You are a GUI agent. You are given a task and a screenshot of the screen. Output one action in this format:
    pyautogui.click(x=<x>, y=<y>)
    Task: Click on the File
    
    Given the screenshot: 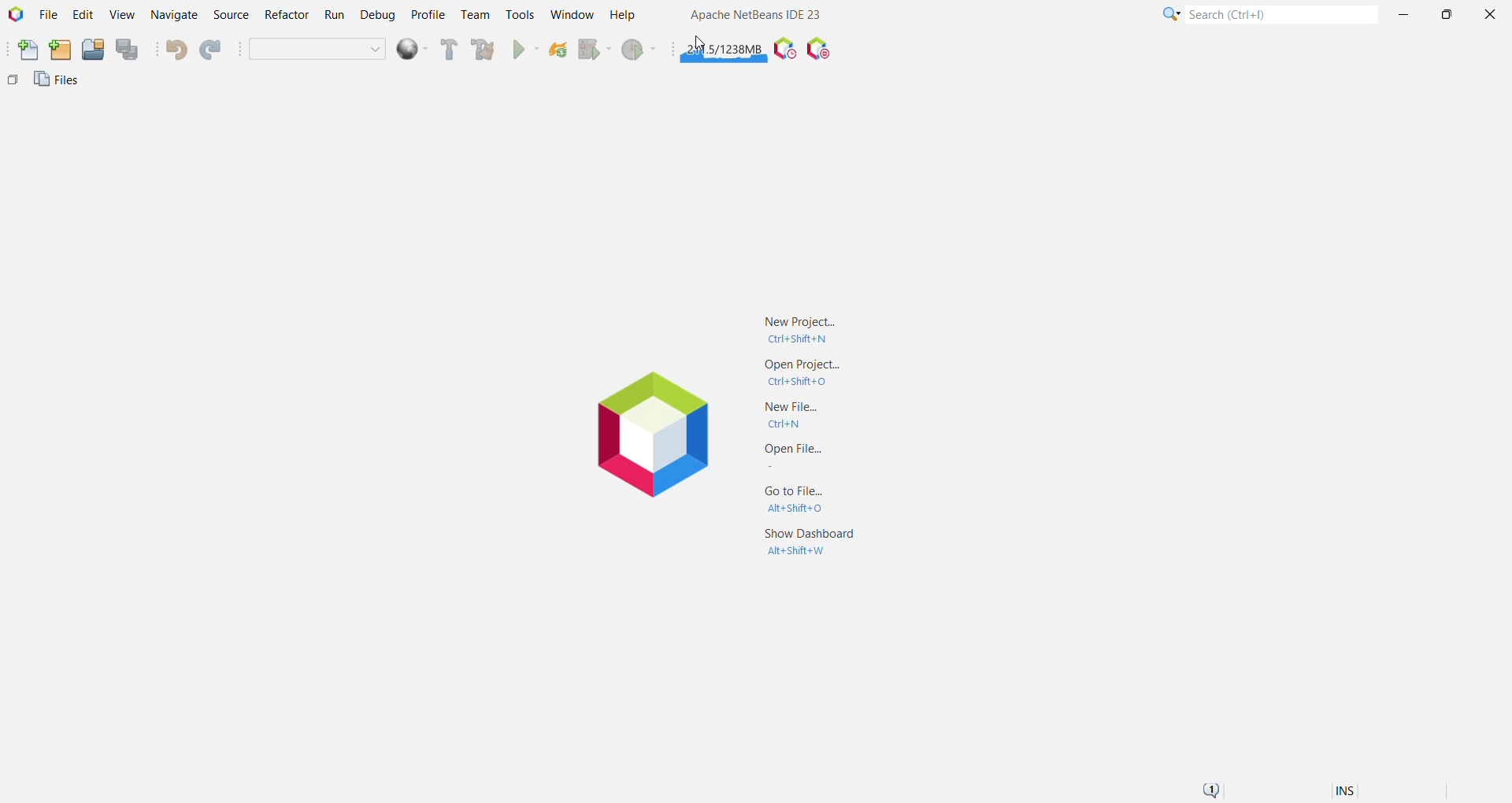 What is the action you would take?
    pyautogui.click(x=48, y=15)
    